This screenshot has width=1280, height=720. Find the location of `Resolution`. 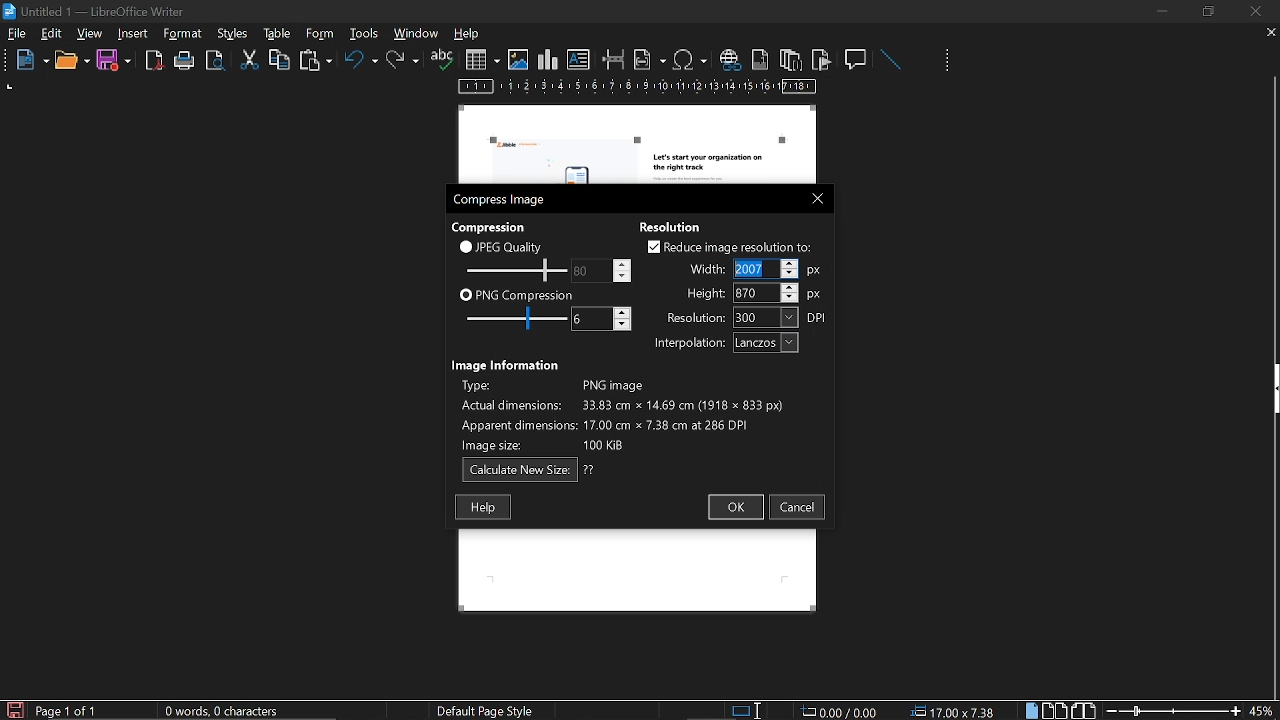

Resolution is located at coordinates (677, 225).